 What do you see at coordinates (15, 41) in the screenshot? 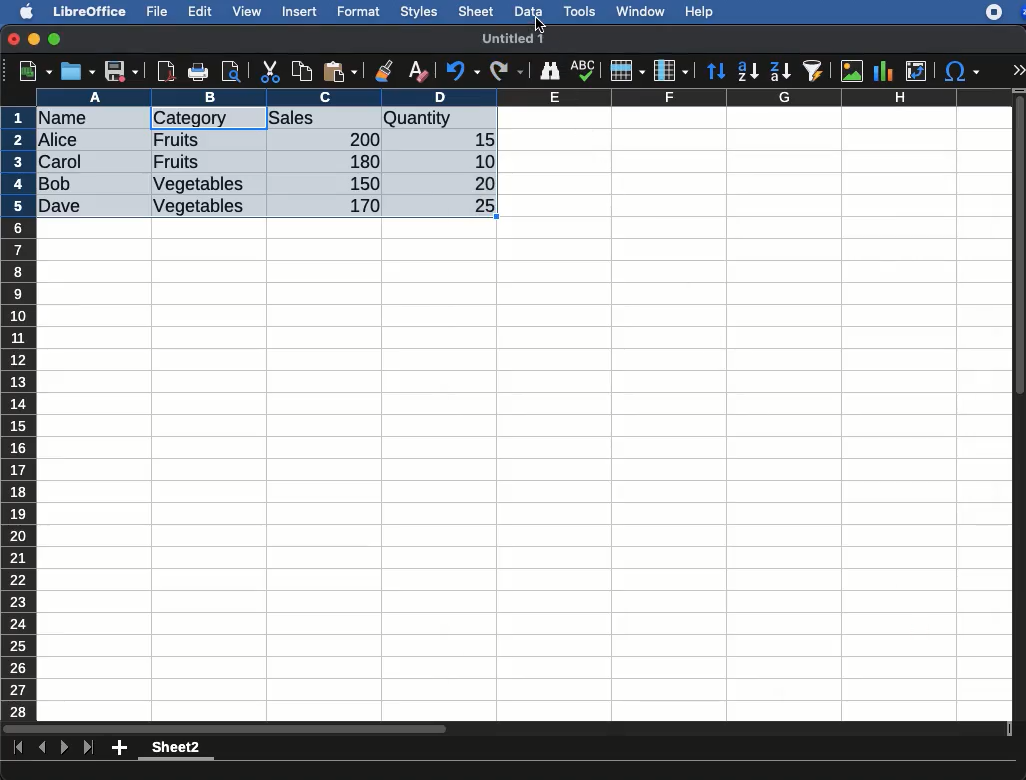
I see `close` at bounding box center [15, 41].